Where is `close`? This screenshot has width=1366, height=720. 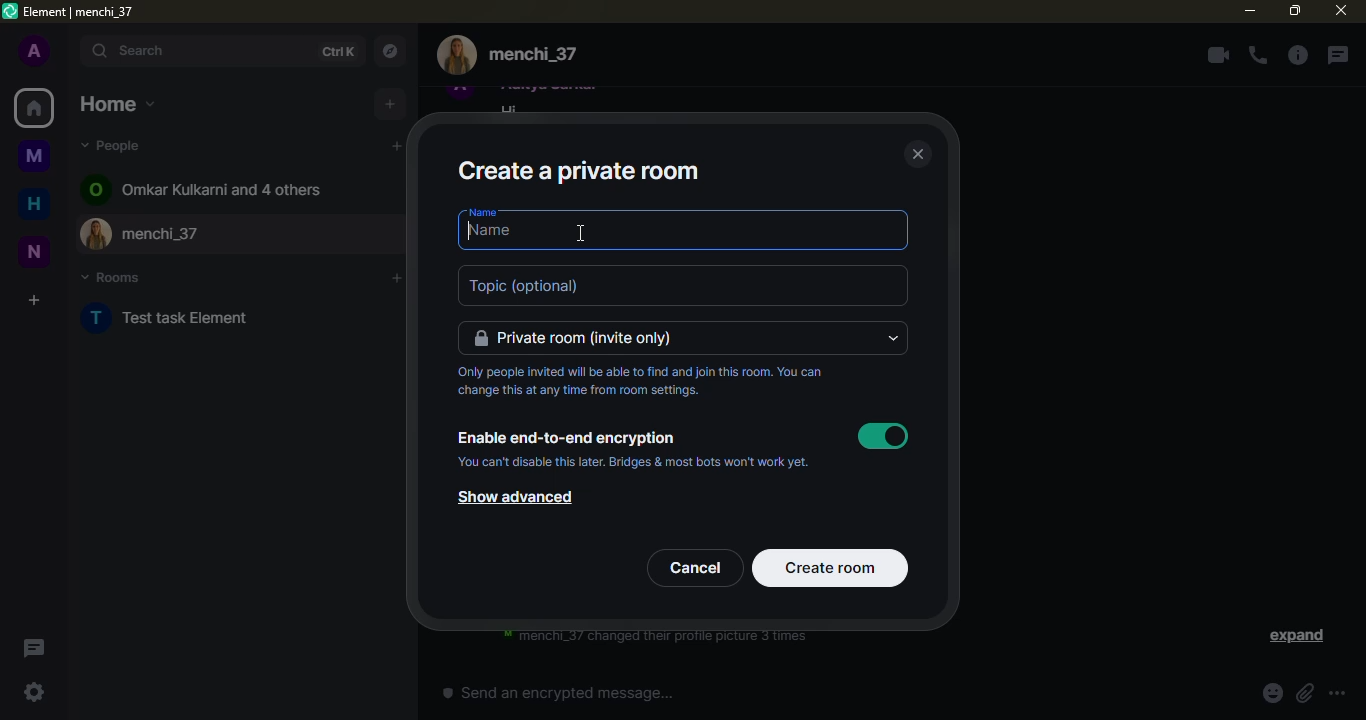
close is located at coordinates (1341, 10).